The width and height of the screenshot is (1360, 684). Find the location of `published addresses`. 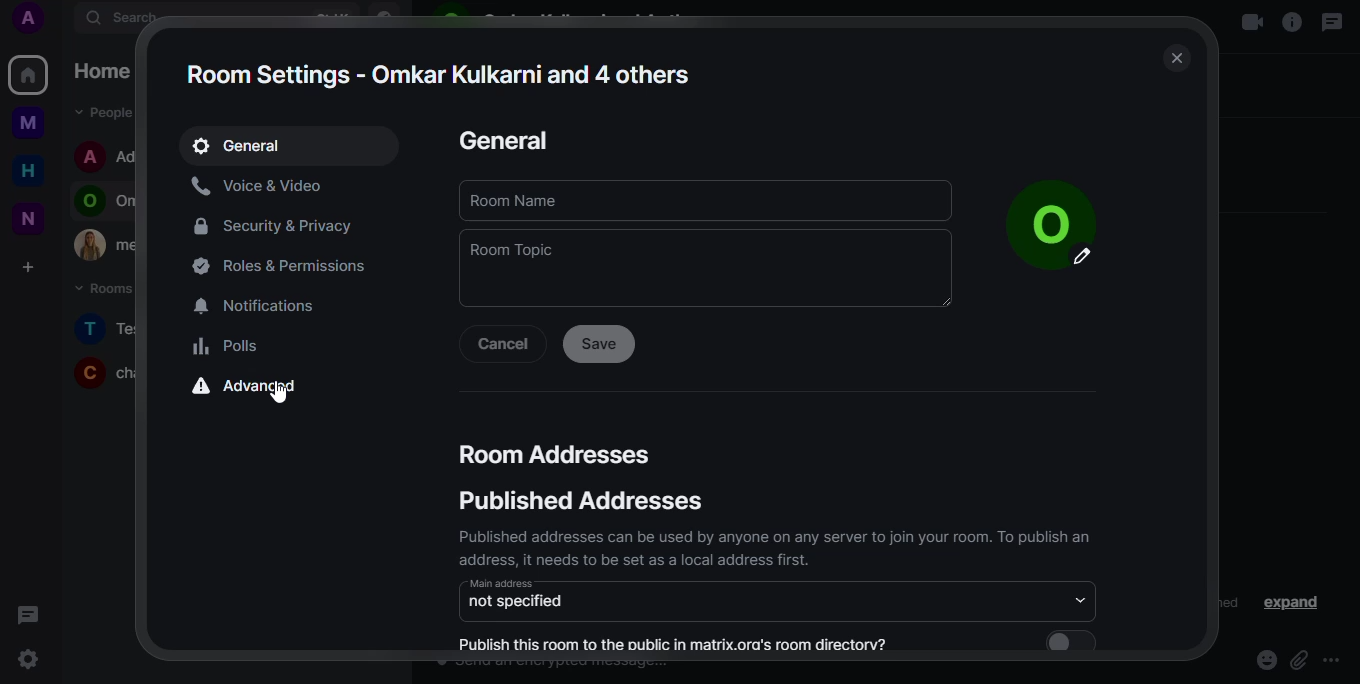

published addresses is located at coordinates (585, 500).